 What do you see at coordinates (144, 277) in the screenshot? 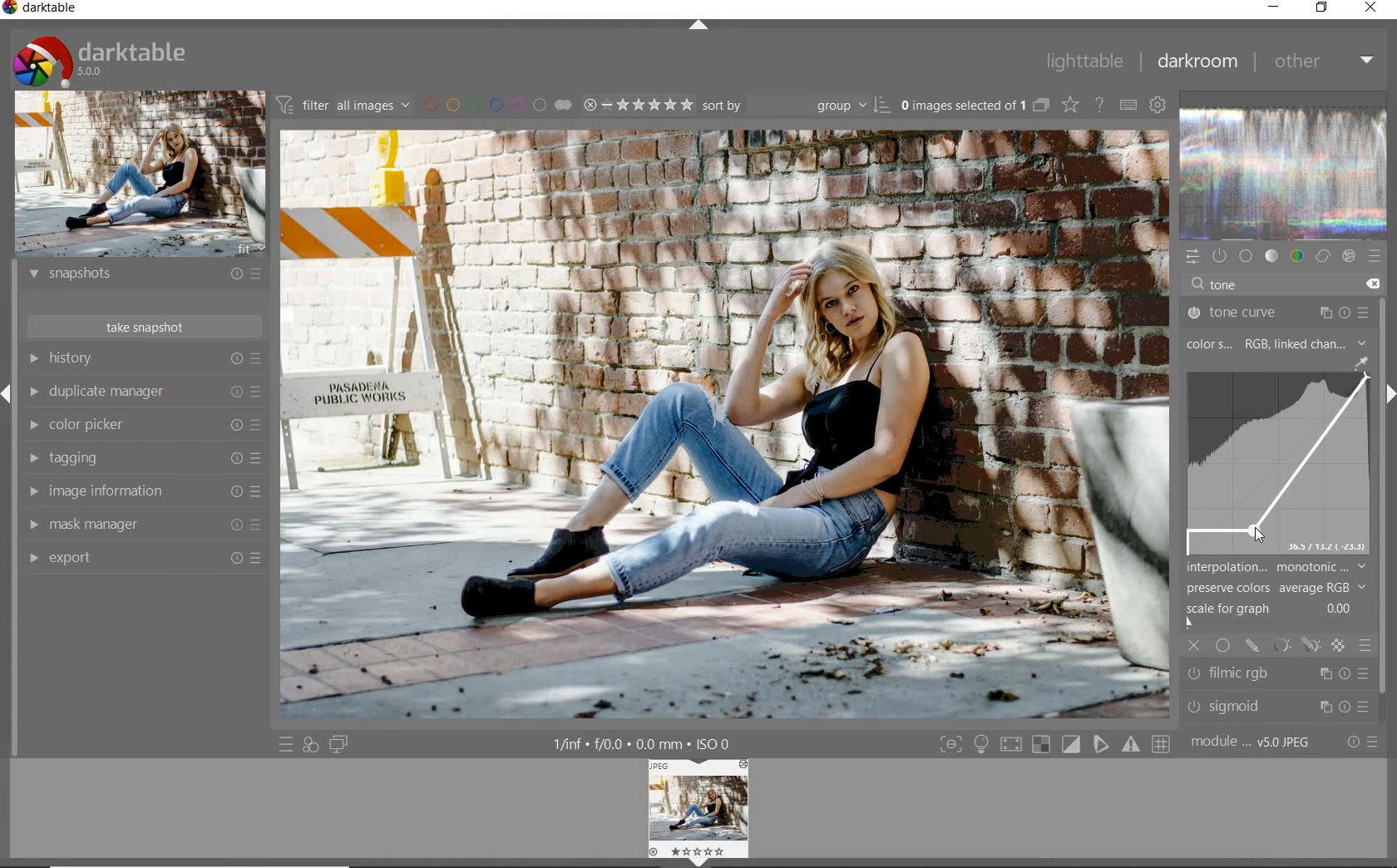
I see `snapshots` at bounding box center [144, 277].